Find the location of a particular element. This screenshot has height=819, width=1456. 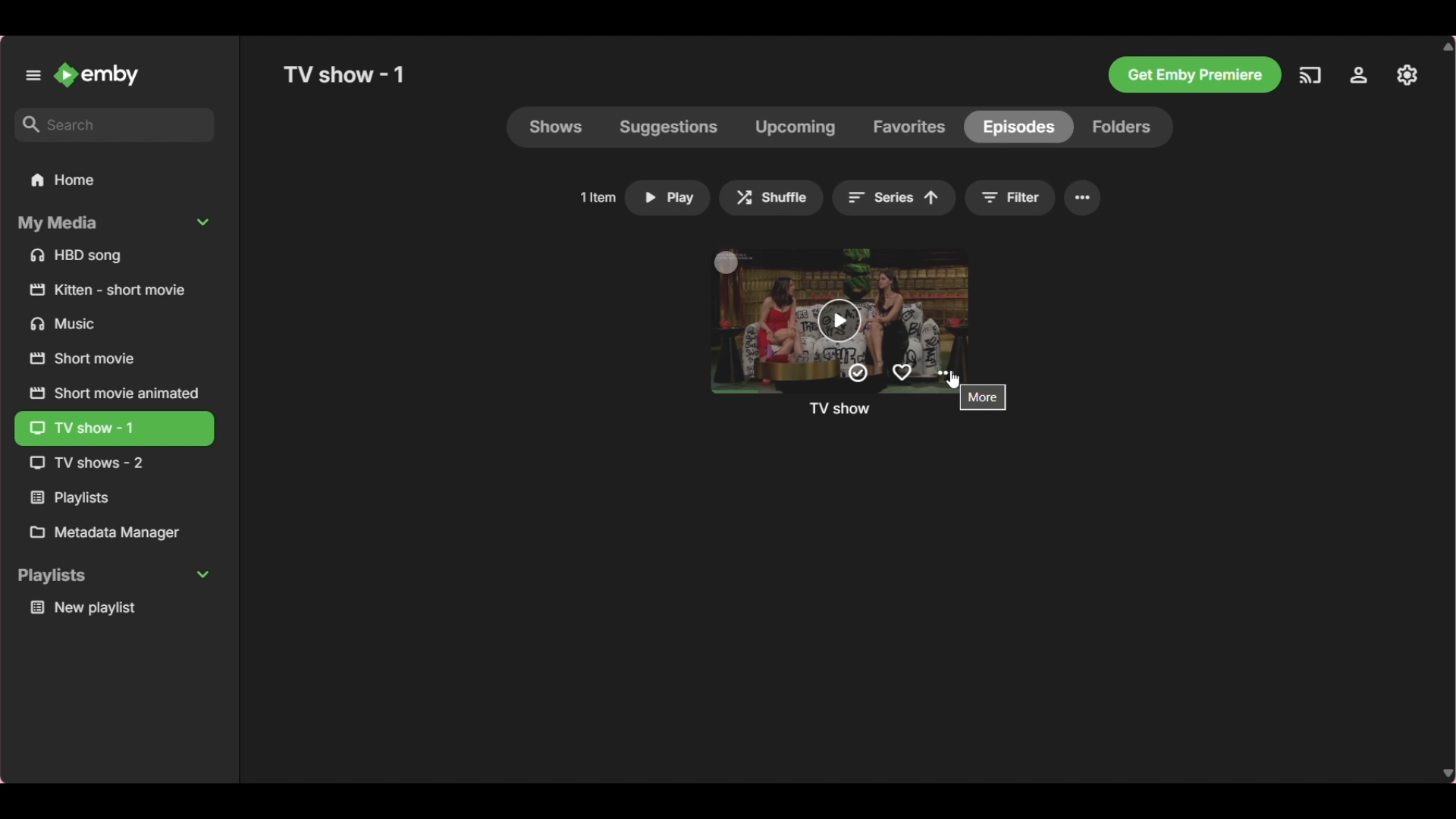

Search box is located at coordinates (115, 124).